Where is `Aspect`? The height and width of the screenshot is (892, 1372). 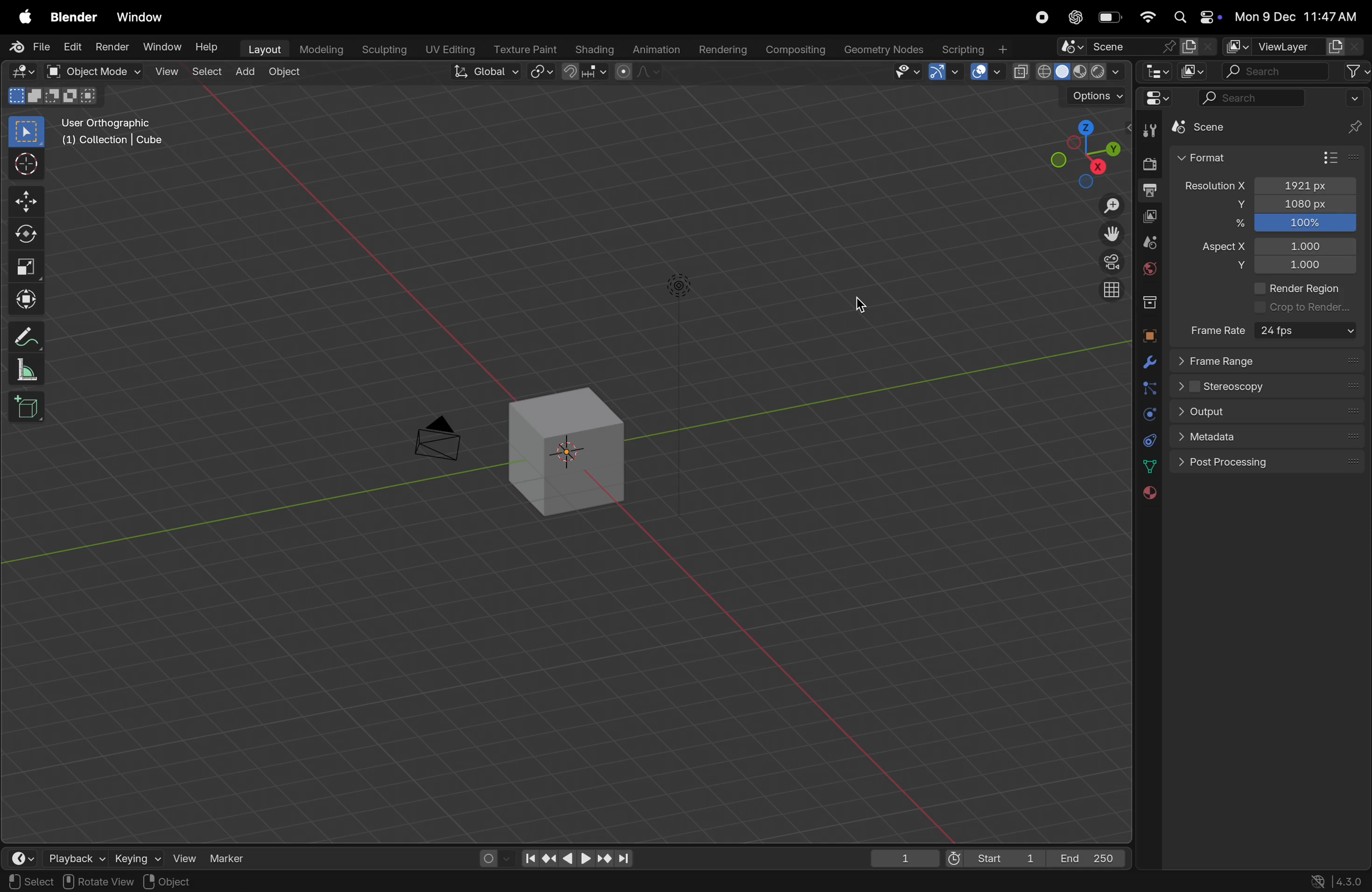 Aspect is located at coordinates (1220, 250).